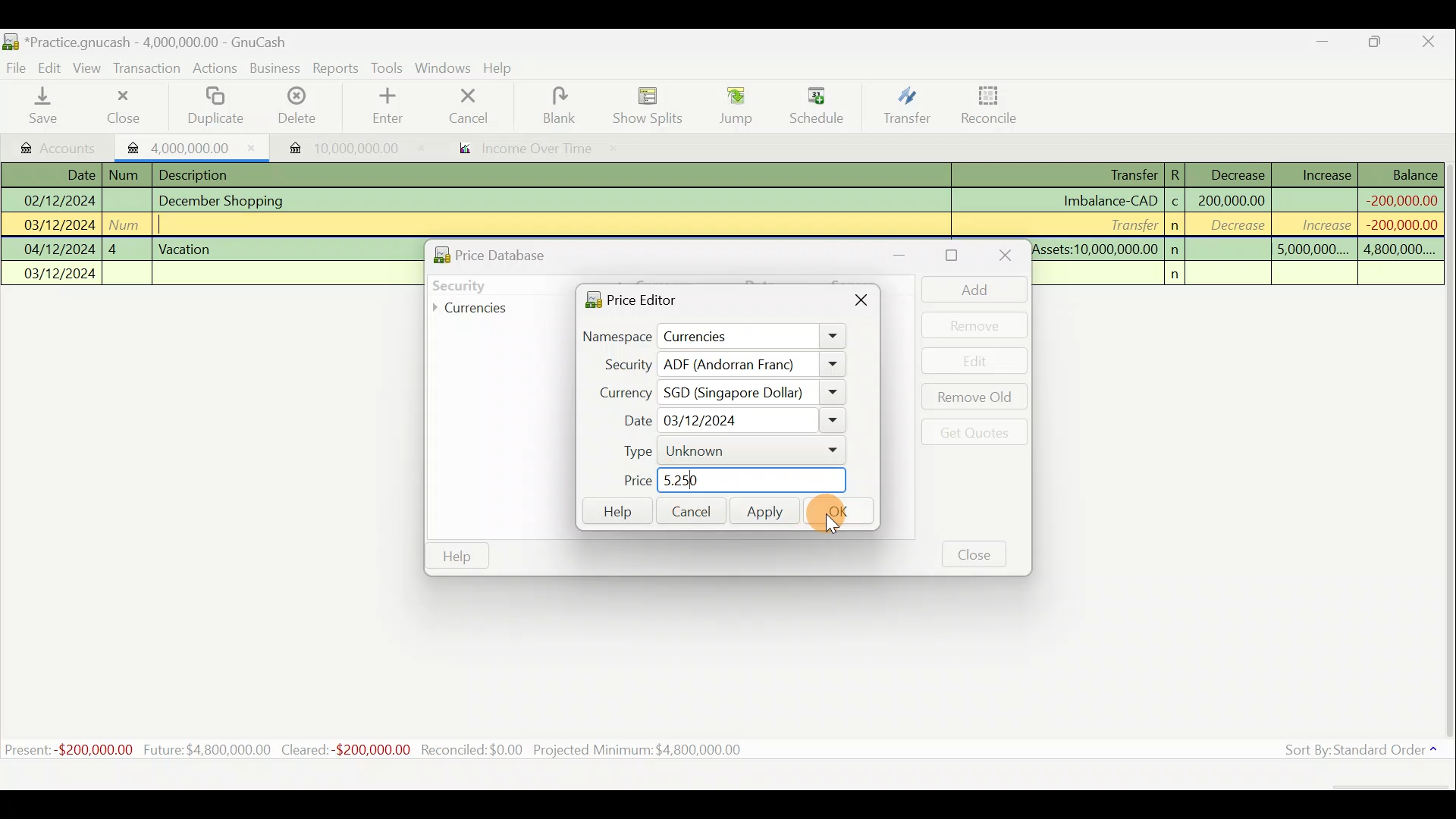 The height and width of the screenshot is (819, 1456). What do you see at coordinates (975, 554) in the screenshot?
I see `Close` at bounding box center [975, 554].